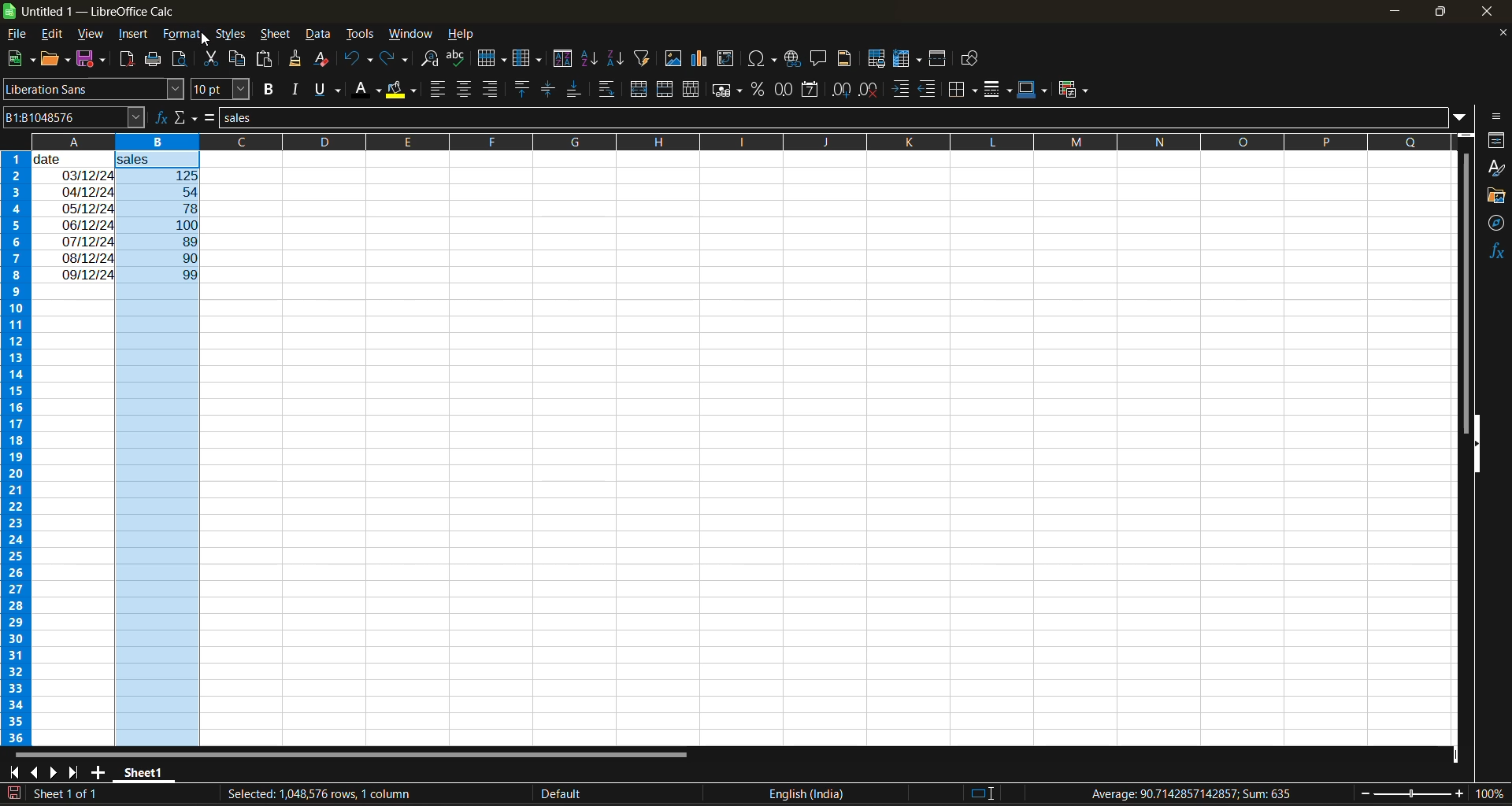 This screenshot has width=1512, height=806. Describe the element at coordinates (71, 116) in the screenshot. I see `name box` at that location.